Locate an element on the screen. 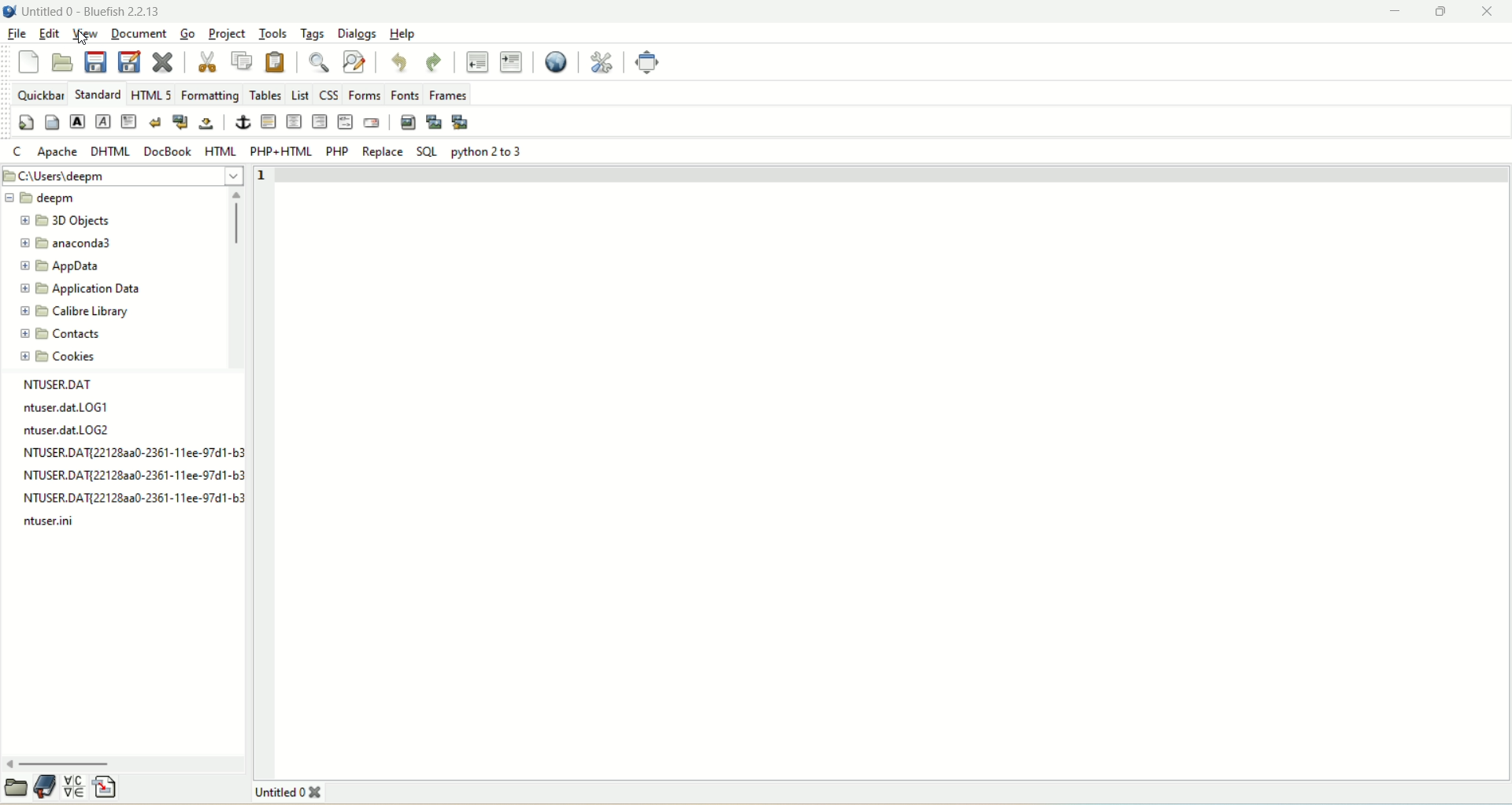 This screenshot has height=805, width=1512. title is located at coordinates (287, 793).